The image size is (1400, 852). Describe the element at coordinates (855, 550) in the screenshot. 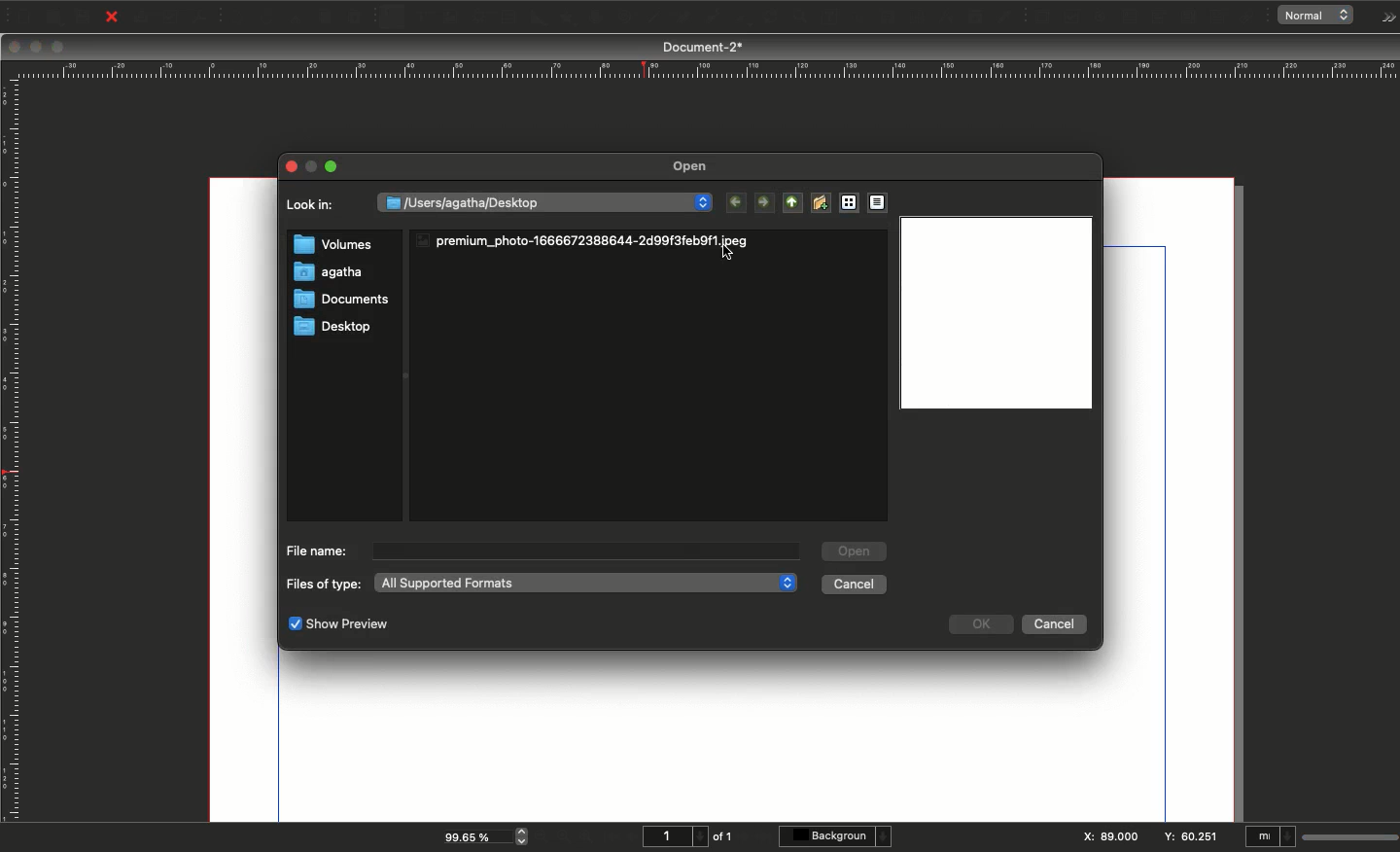

I see `Open` at that location.